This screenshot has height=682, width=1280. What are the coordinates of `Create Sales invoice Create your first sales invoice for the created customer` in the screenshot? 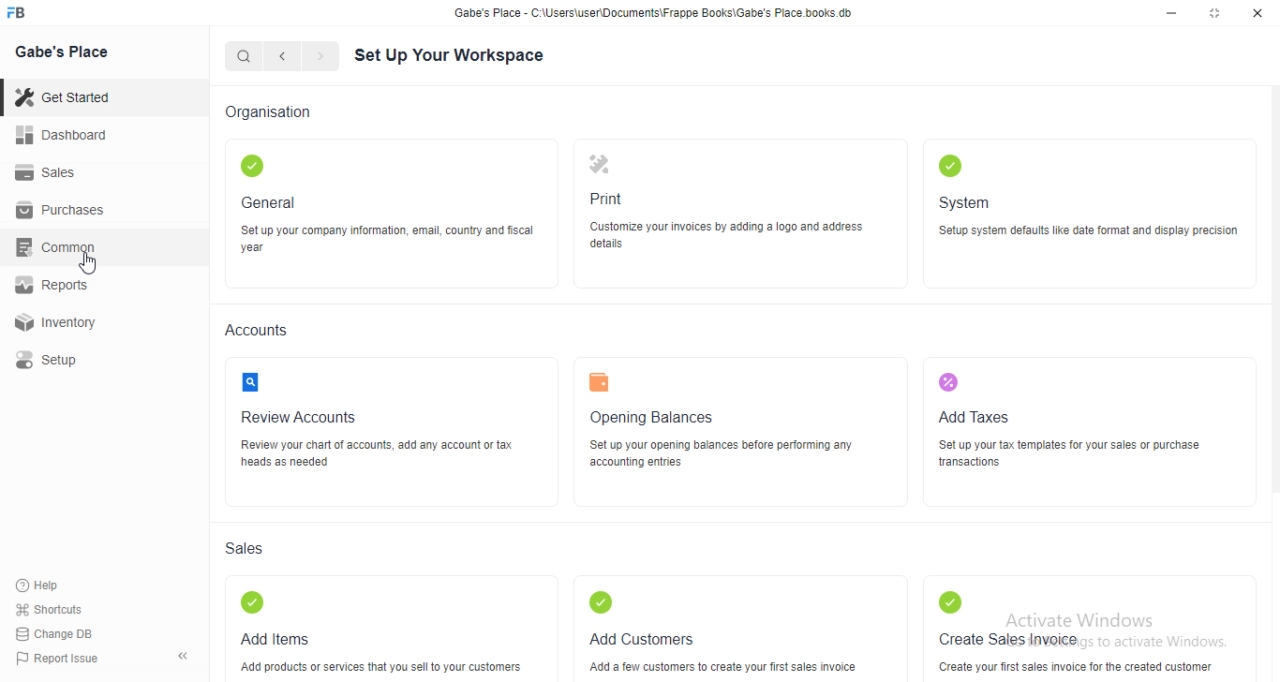 It's located at (1076, 630).